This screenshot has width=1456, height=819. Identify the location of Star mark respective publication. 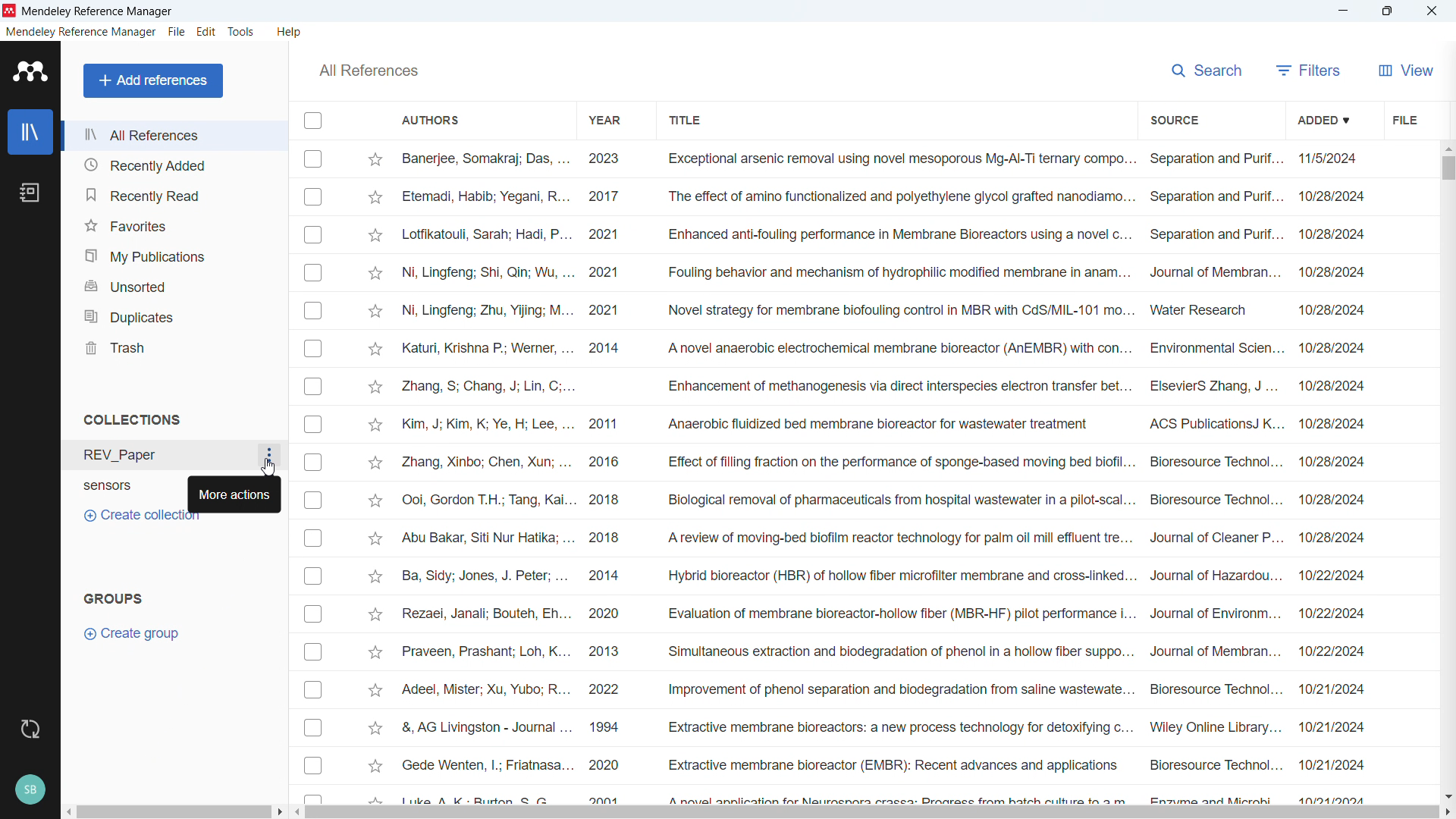
(375, 728).